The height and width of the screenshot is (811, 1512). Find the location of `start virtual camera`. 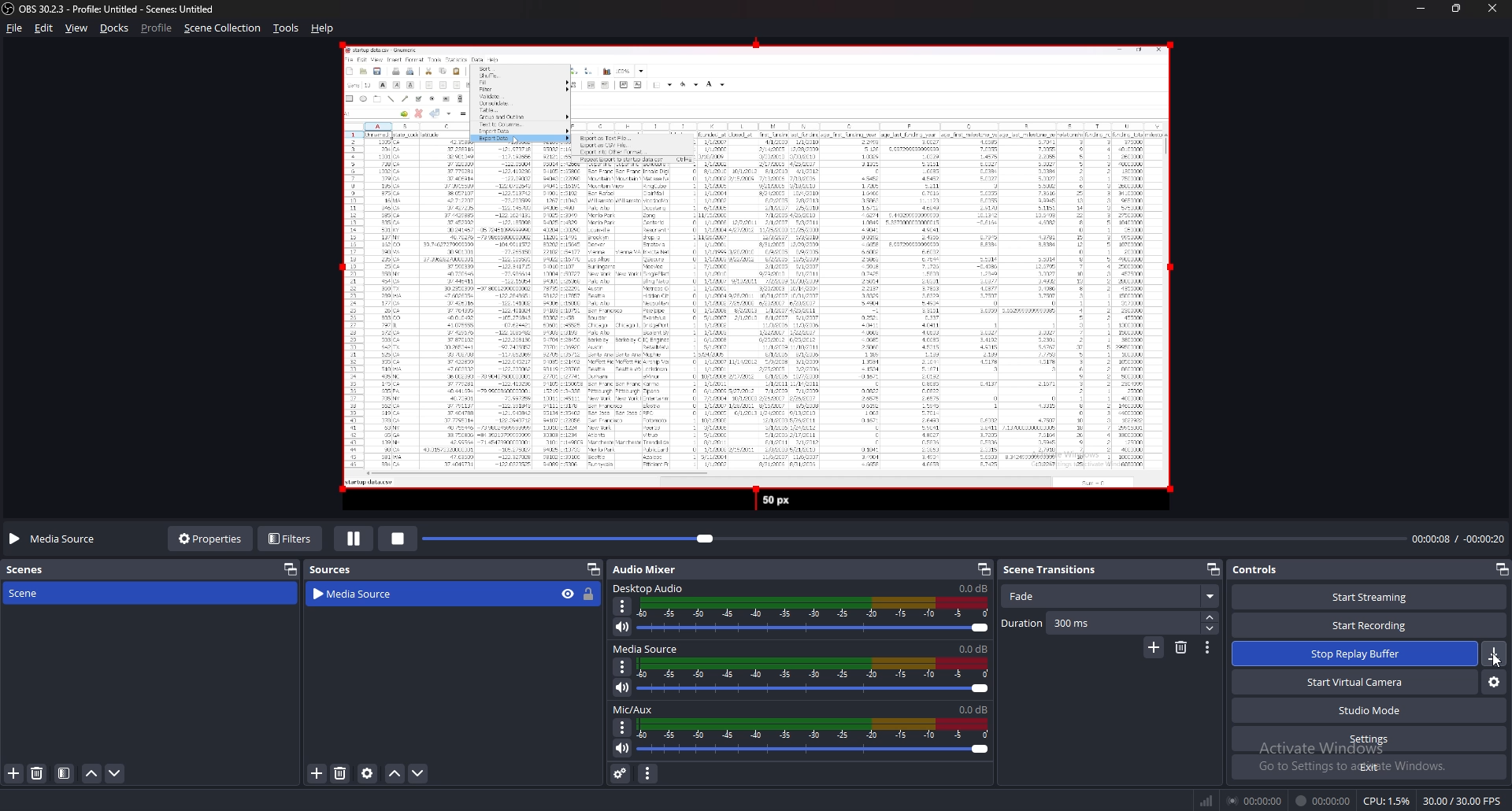

start virtual camera is located at coordinates (1355, 682).